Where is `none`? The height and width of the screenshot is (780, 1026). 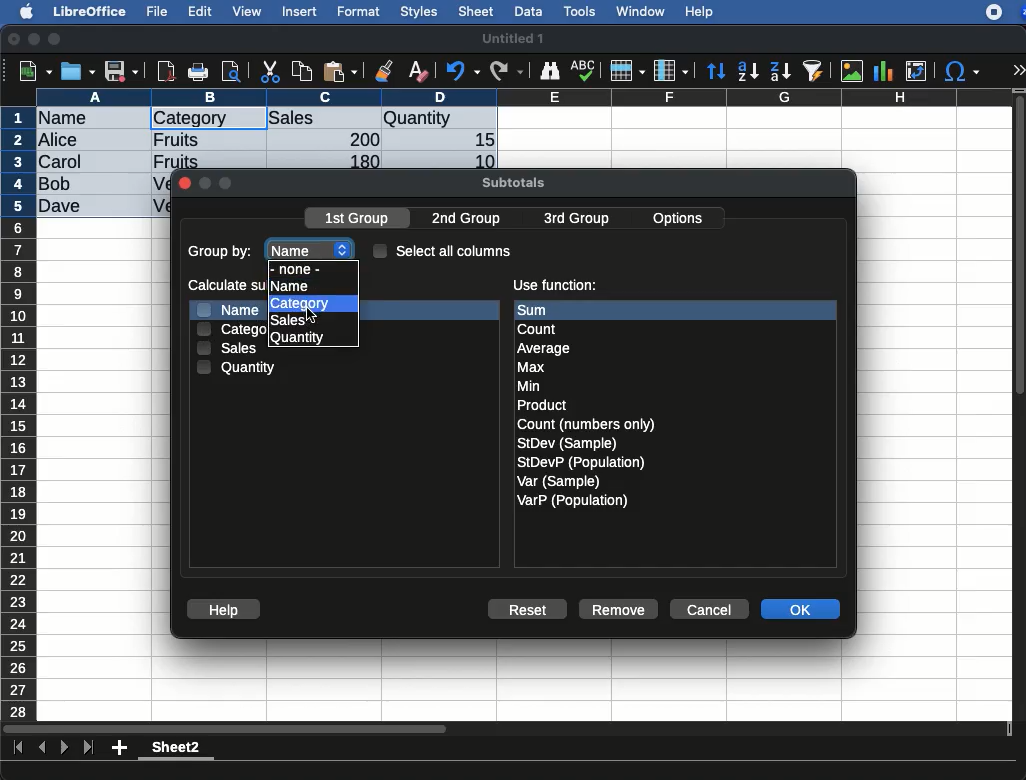
none is located at coordinates (303, 268).